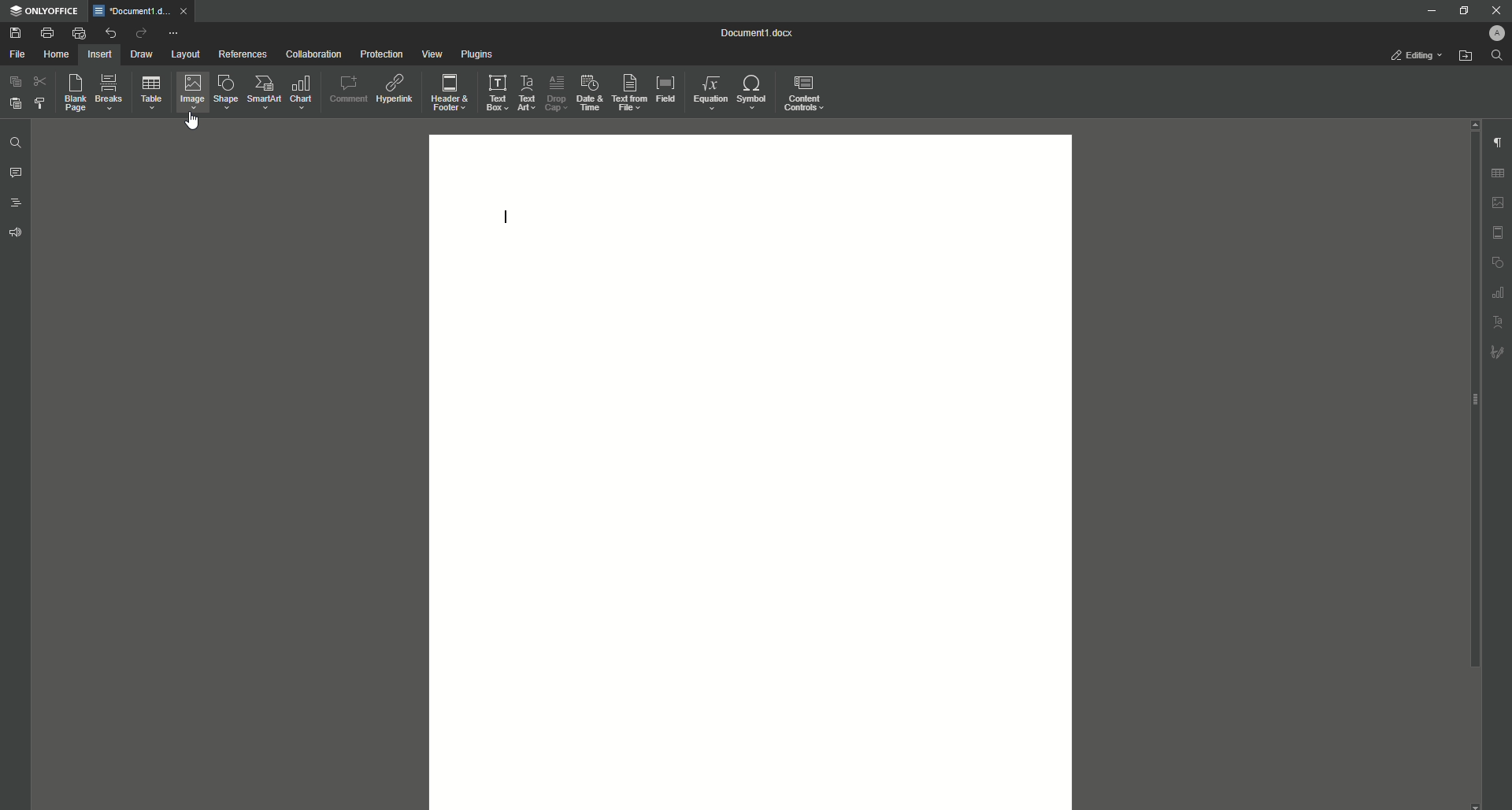  Describe the element at coordinates (72, 91) in the screenshot. I see `Blank Page` at that location.